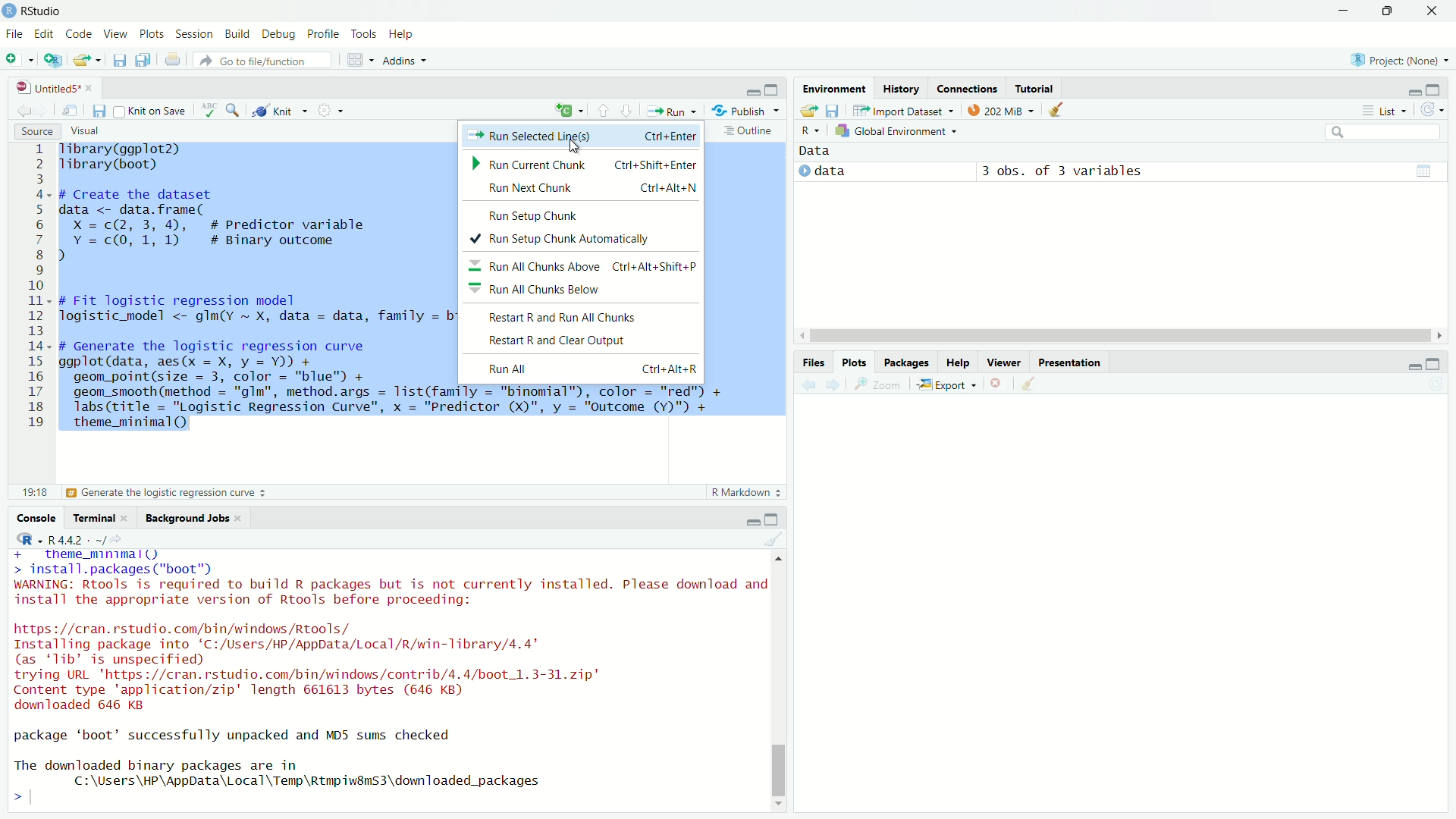 This screenshot has height=819, width=1456. What do you see at coordinates (1001, 108) in the screenshot?
I see `202 MiB` at bounding box center [1001, 108].